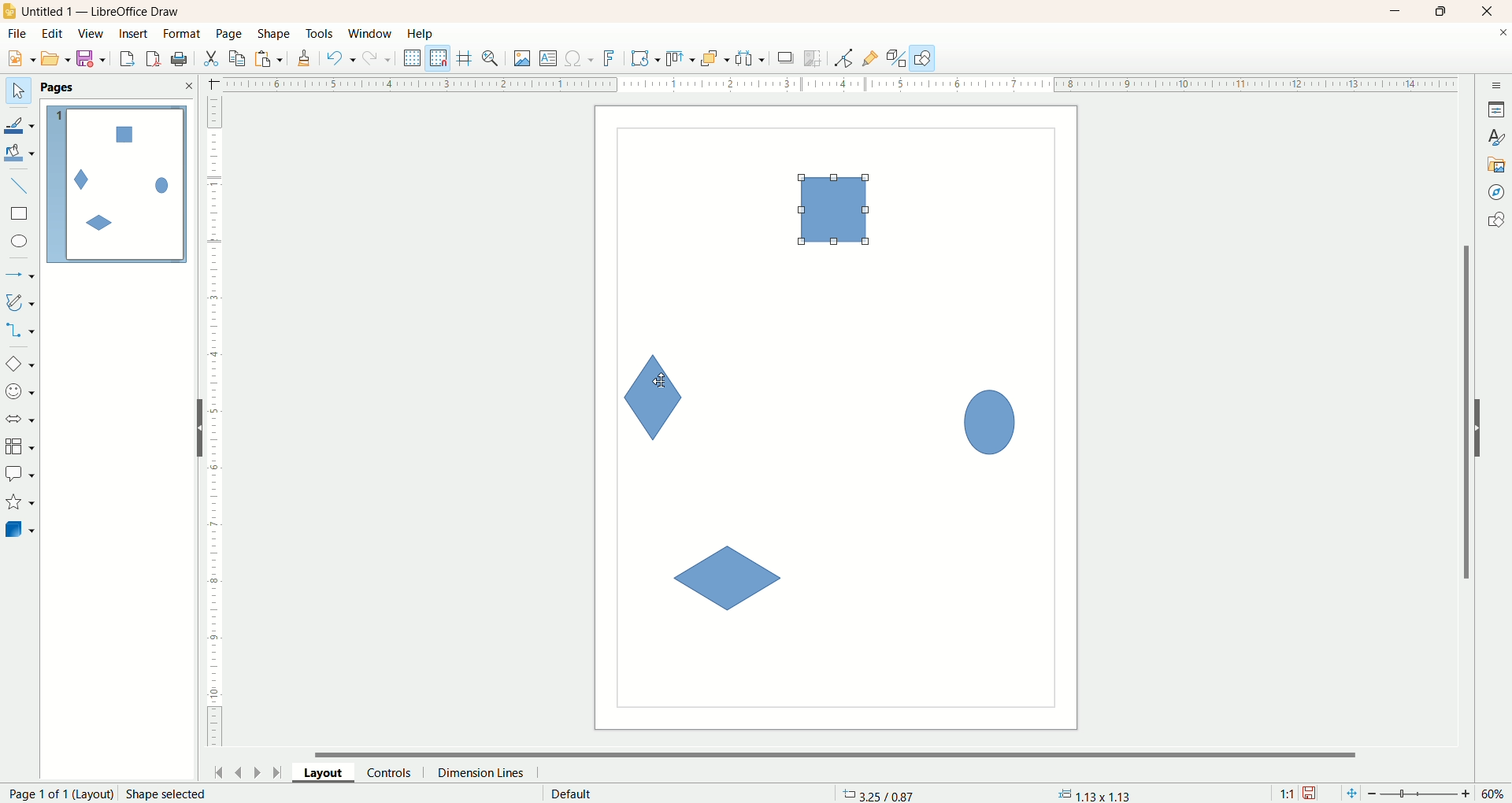 This screenshot has height=803, width=1512. What do you see at coordinates (20, 34) in the screenshot?
I see `file` at bounding box center [20, 34].